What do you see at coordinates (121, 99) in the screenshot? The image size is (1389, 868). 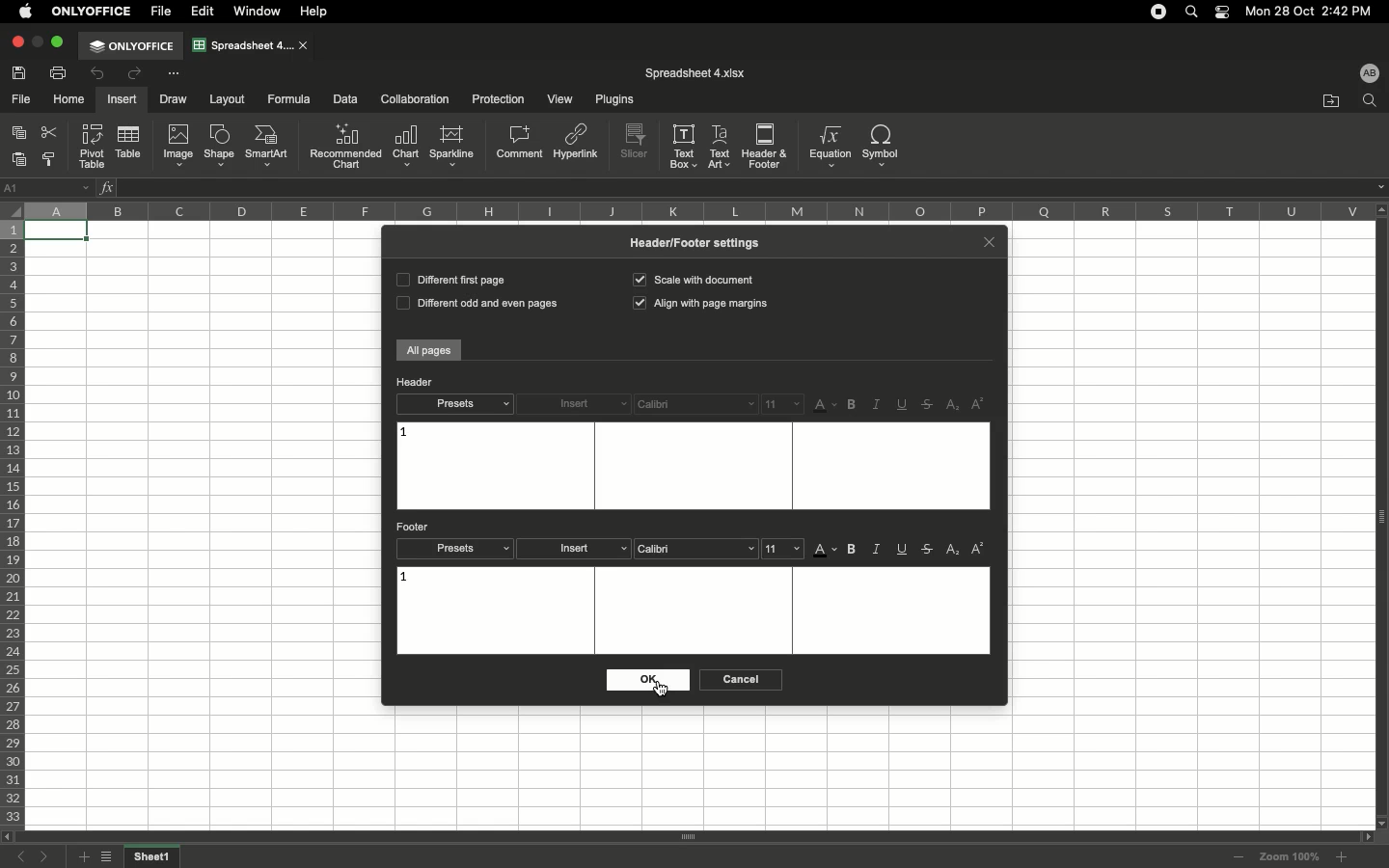 I see `Insert` at bounding box center [121, 99].